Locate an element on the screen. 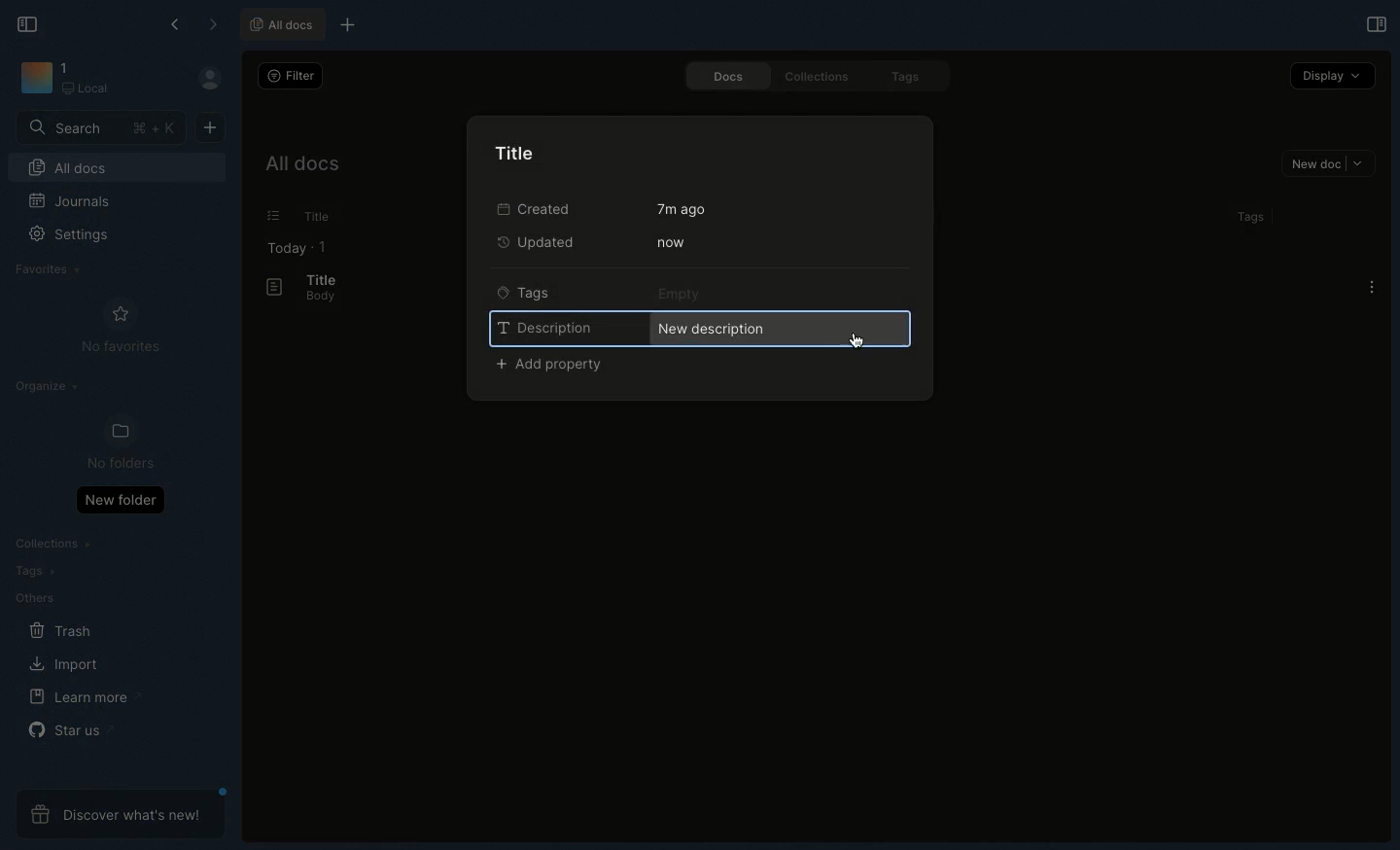 Image resolution: width=1400 pixels, height=850 pixels. Now is located at coordinates (669, 242).